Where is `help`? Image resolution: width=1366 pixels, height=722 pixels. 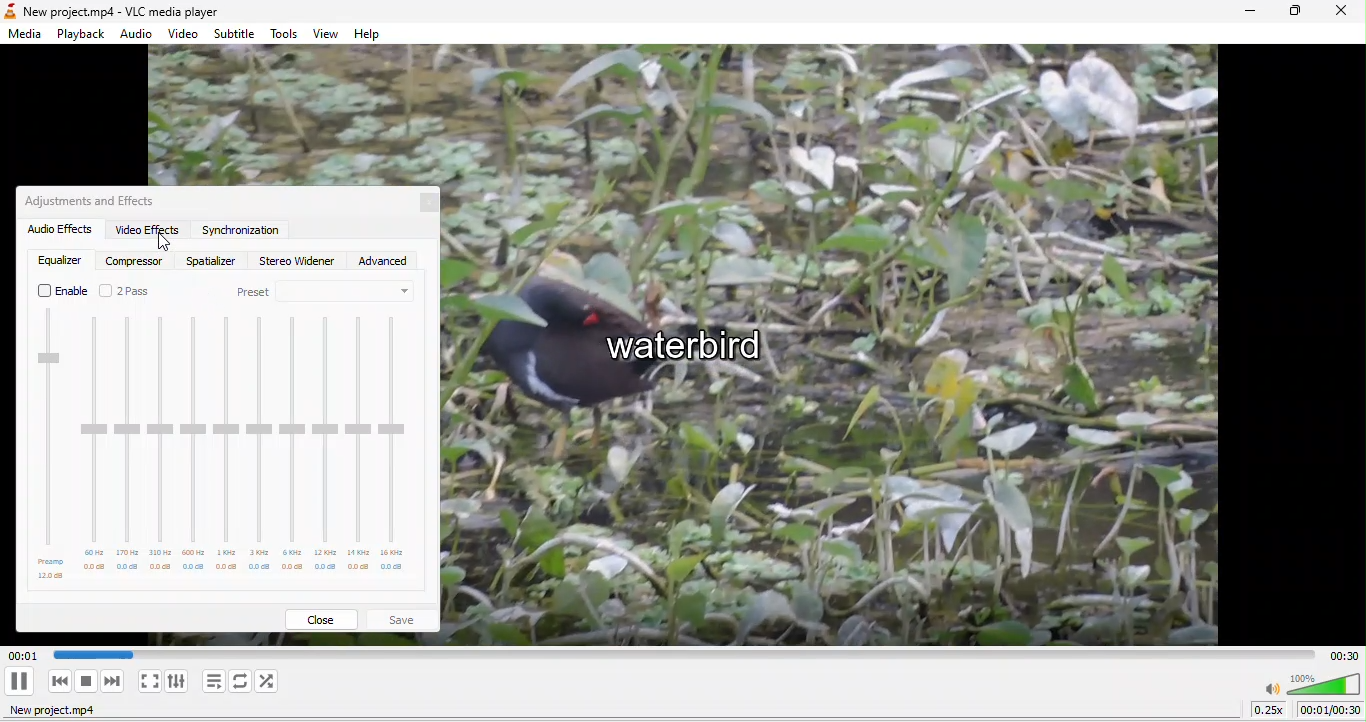 help is located at coordinates (373, 33).